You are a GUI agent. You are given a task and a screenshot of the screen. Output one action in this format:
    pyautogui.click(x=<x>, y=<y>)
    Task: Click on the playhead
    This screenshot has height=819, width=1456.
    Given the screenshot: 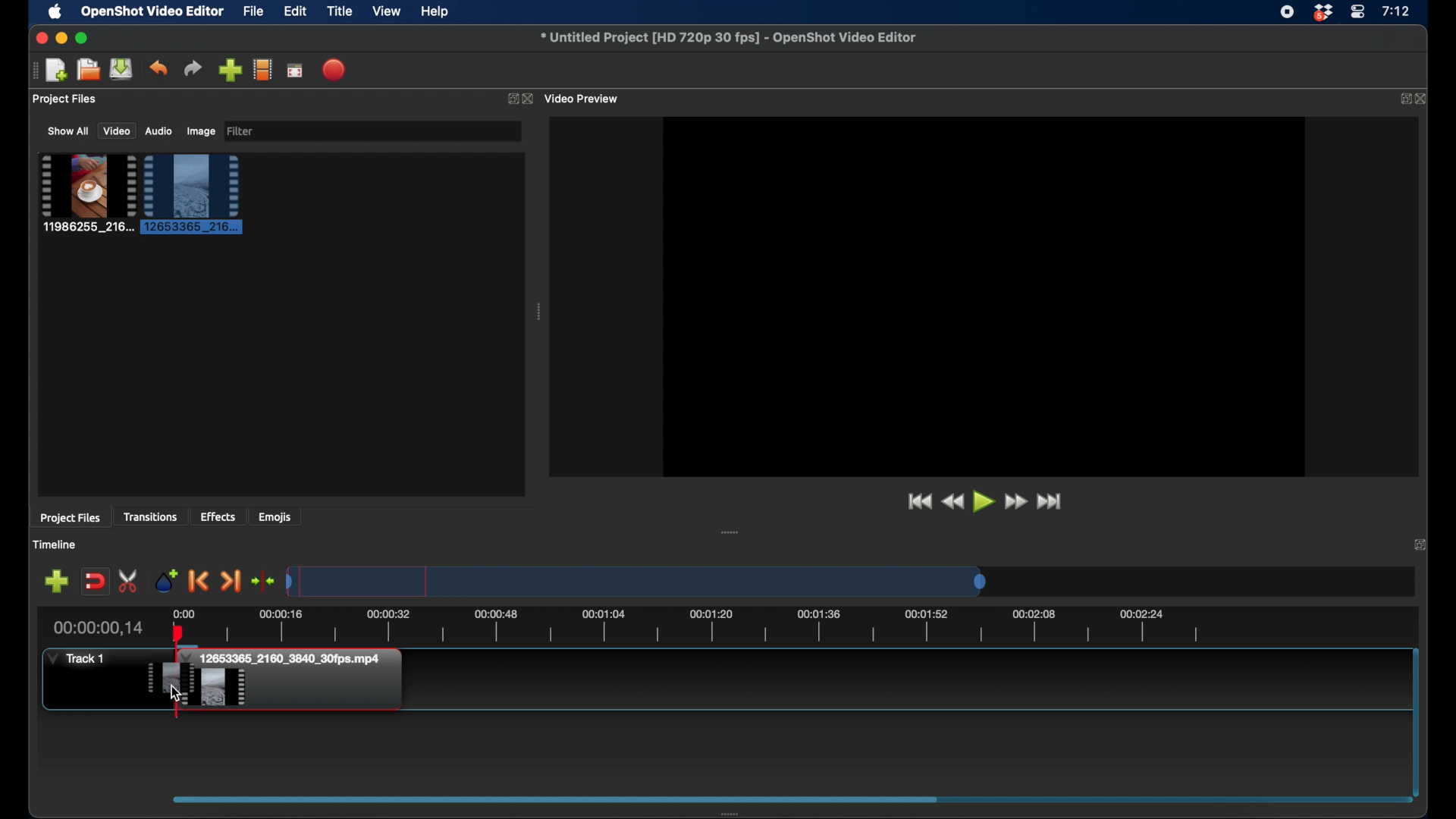 What is the action you would take?
    pyautogui.click(x=177, y=642)
    